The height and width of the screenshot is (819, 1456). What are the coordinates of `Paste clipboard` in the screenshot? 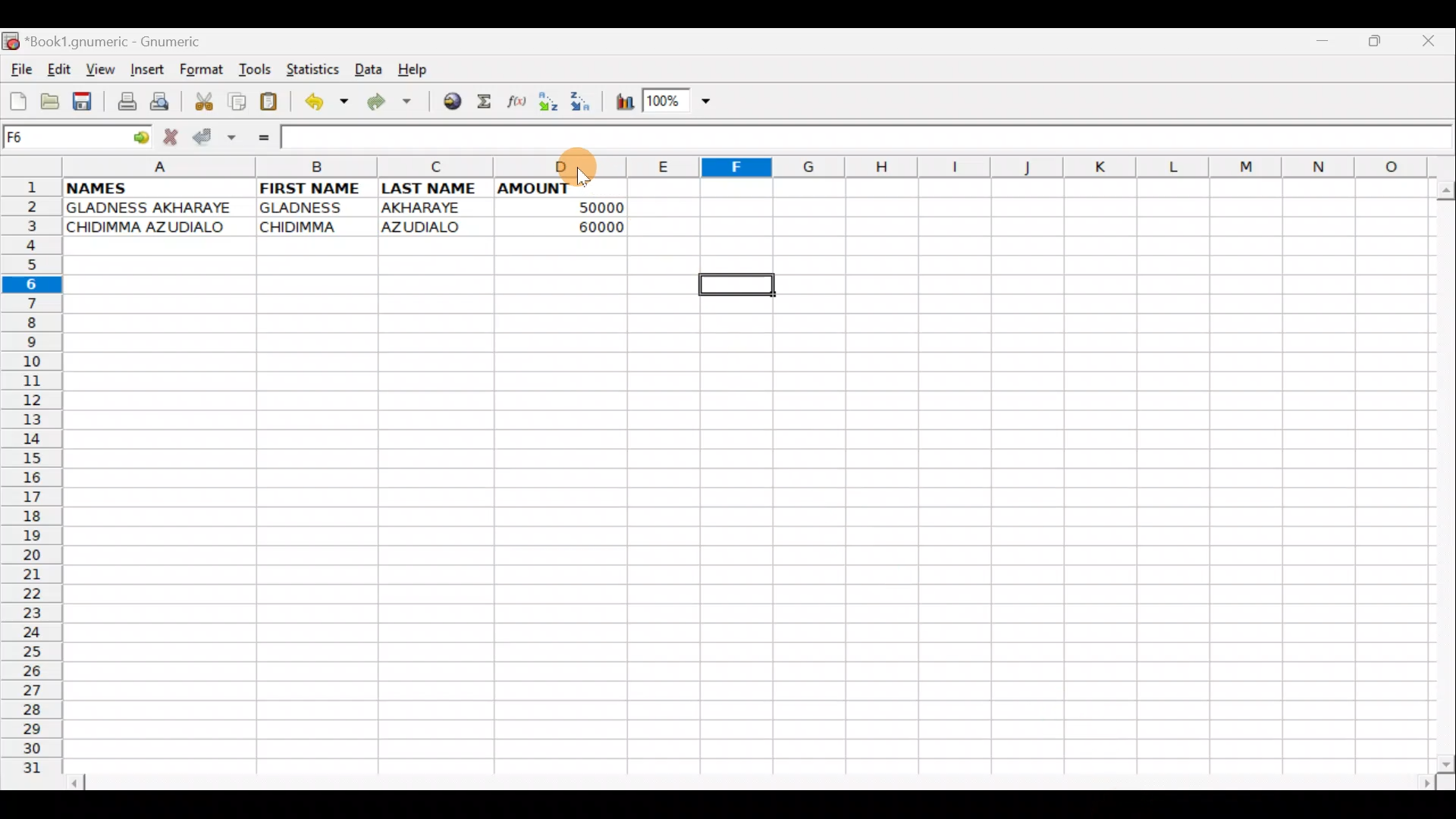 It's located at (271, 100).